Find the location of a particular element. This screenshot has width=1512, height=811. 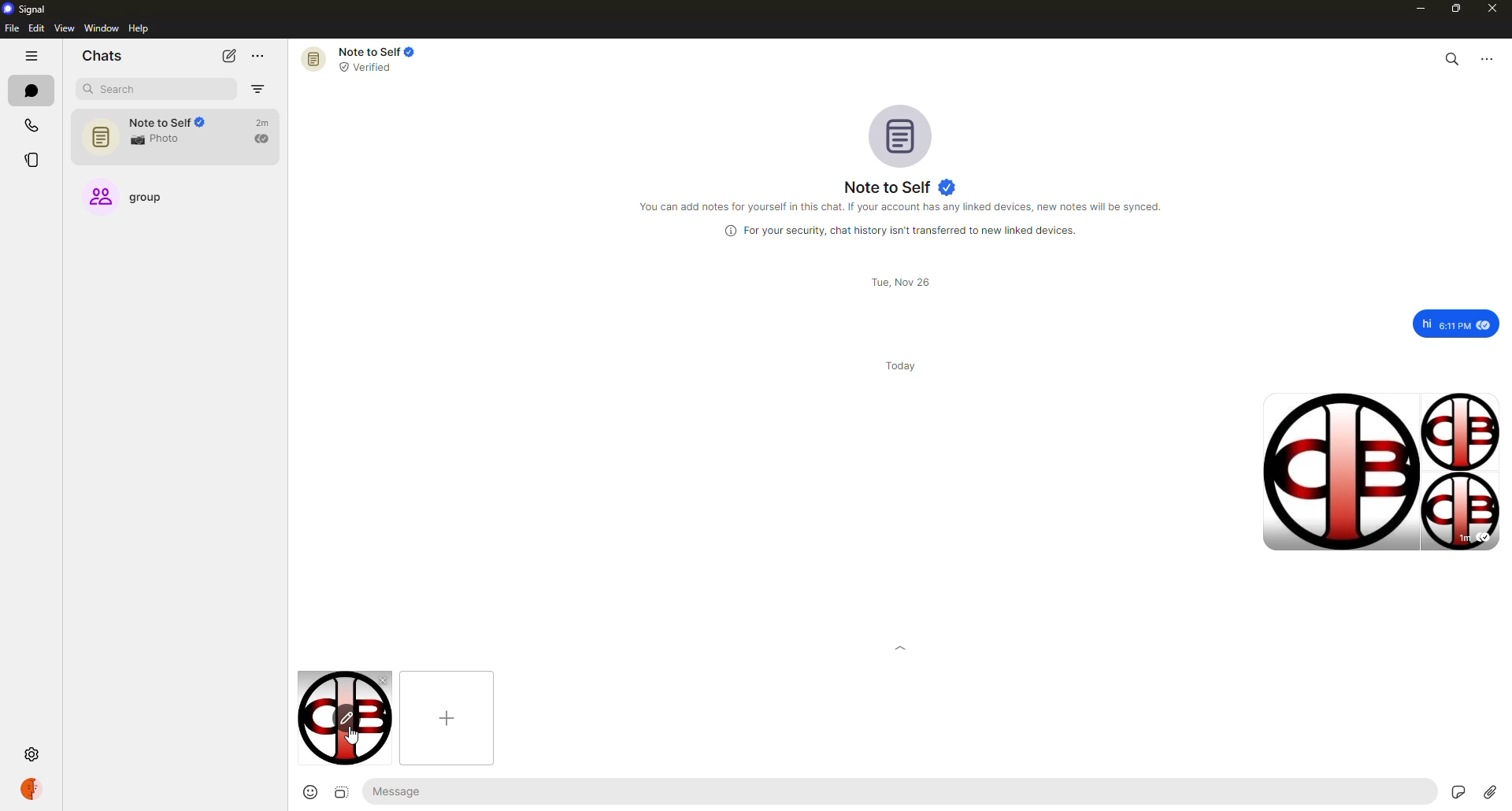

more is located at coordinates (1490, 60).